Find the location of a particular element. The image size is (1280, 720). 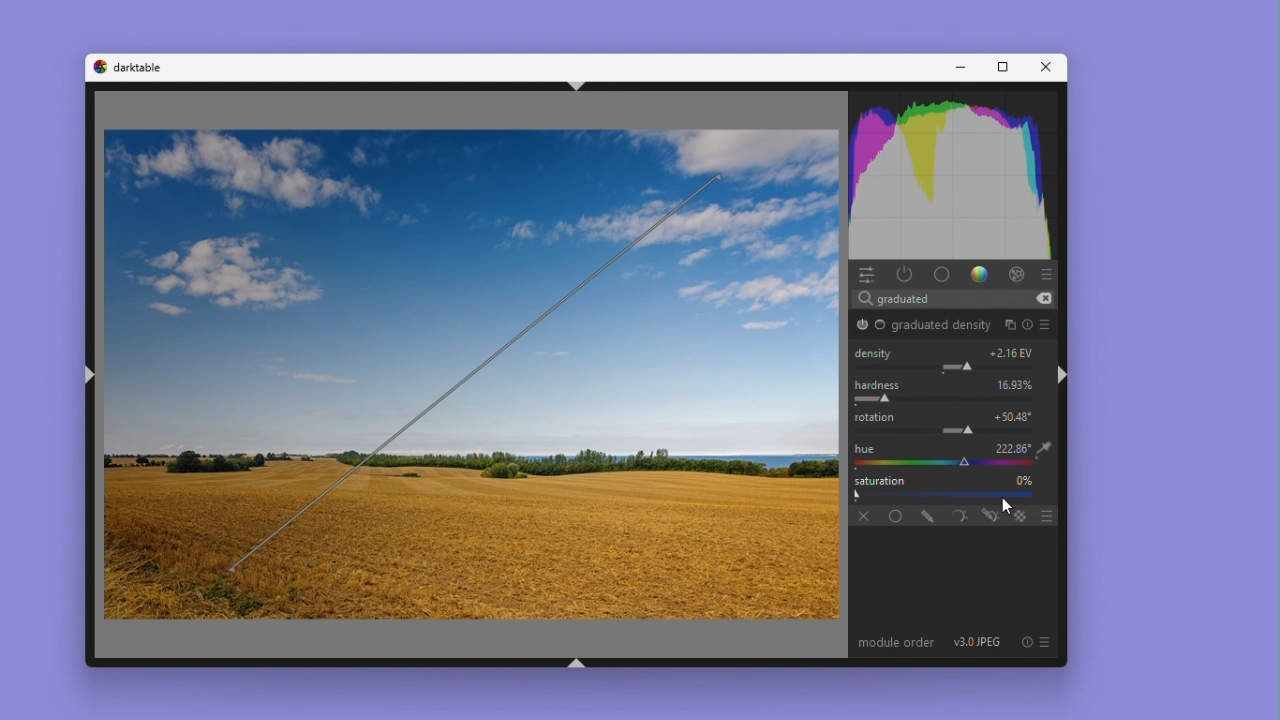

Maximise is located at coordinates (999, 68).